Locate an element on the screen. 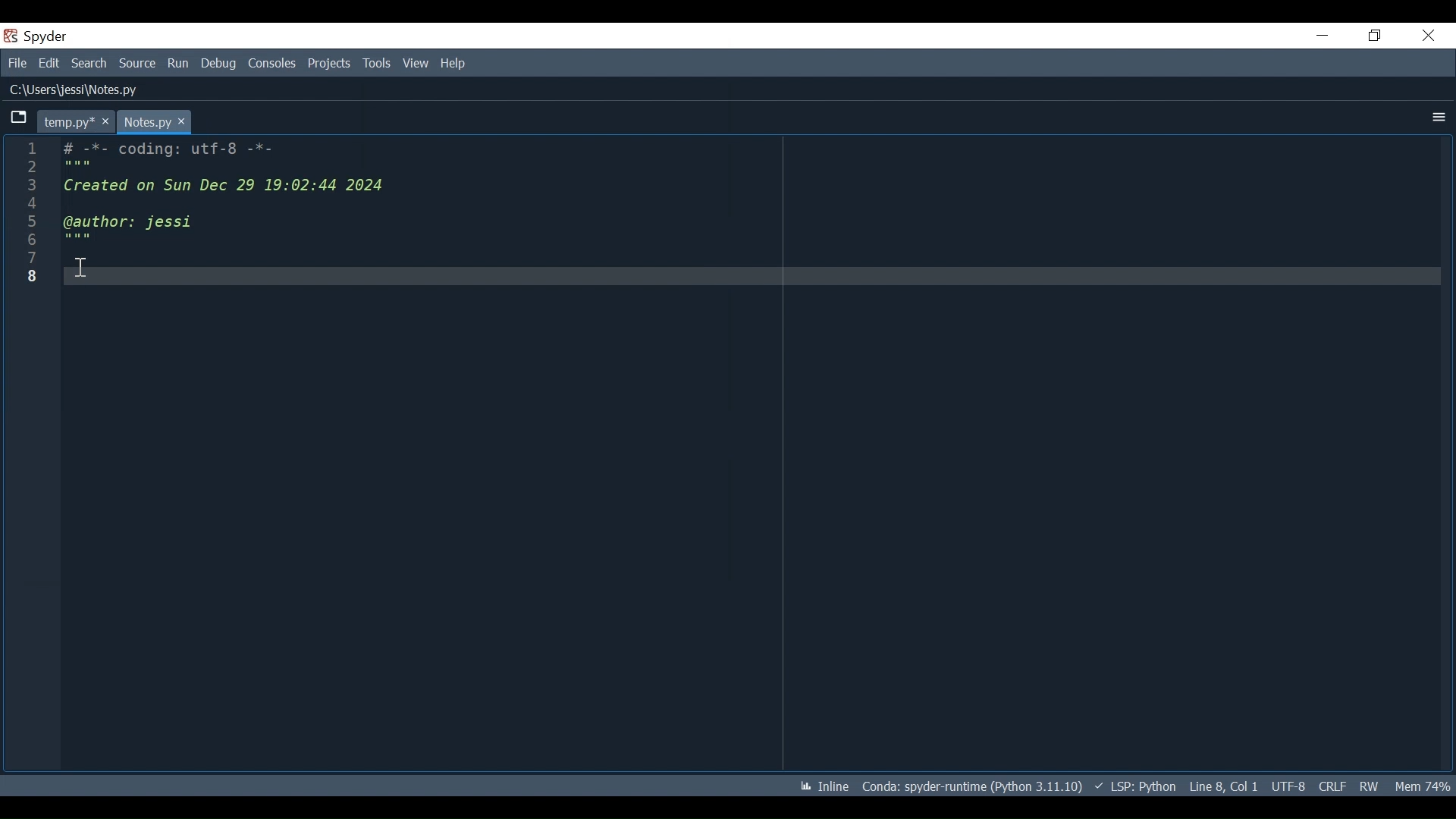 Image resolution: width=1456 pixels, height=819 pixels. Help is located at coordinates (451, 64).